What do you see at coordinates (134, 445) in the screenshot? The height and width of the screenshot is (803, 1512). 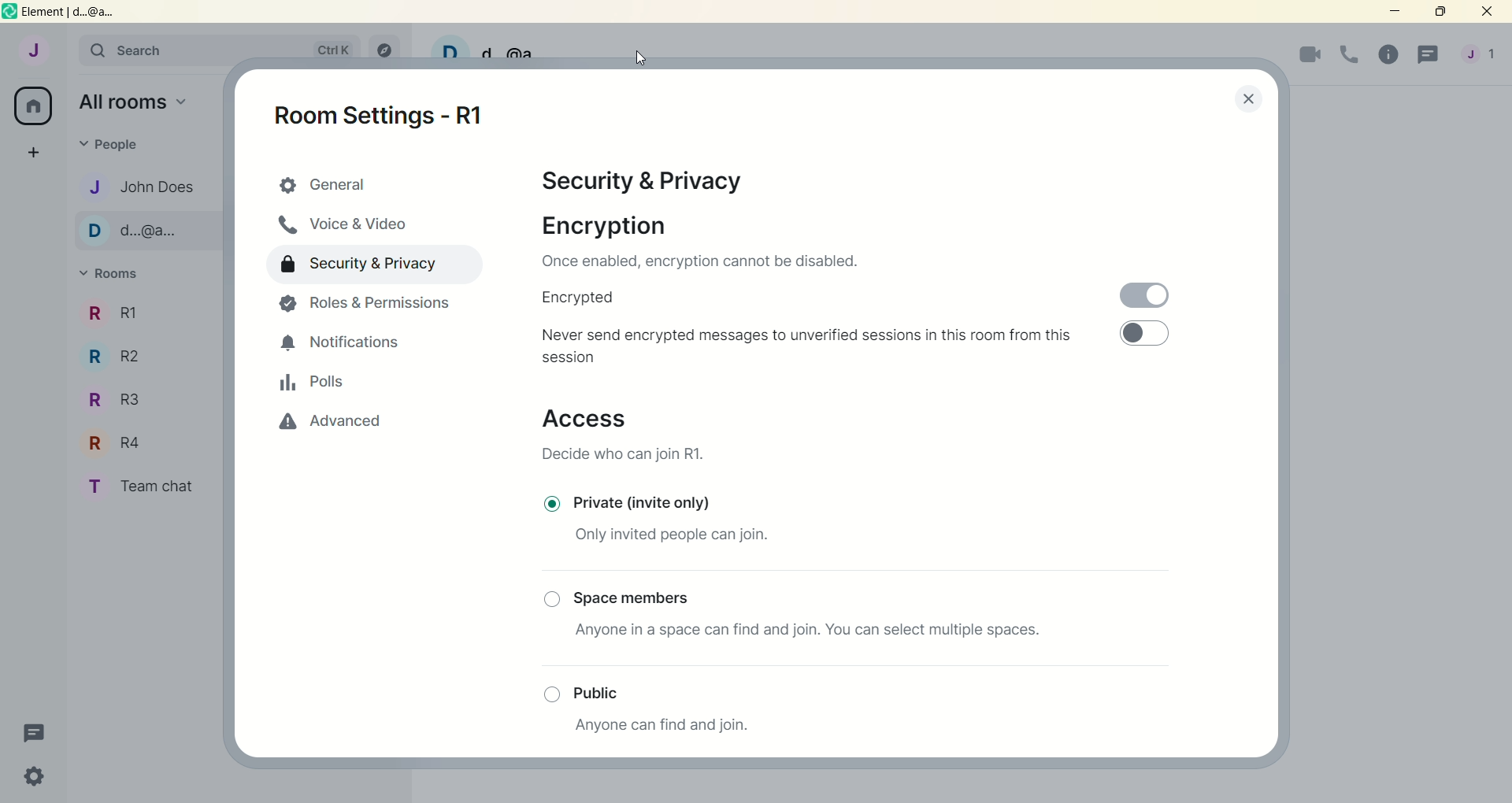 I see `R R4` at bounding box center [134, 445].